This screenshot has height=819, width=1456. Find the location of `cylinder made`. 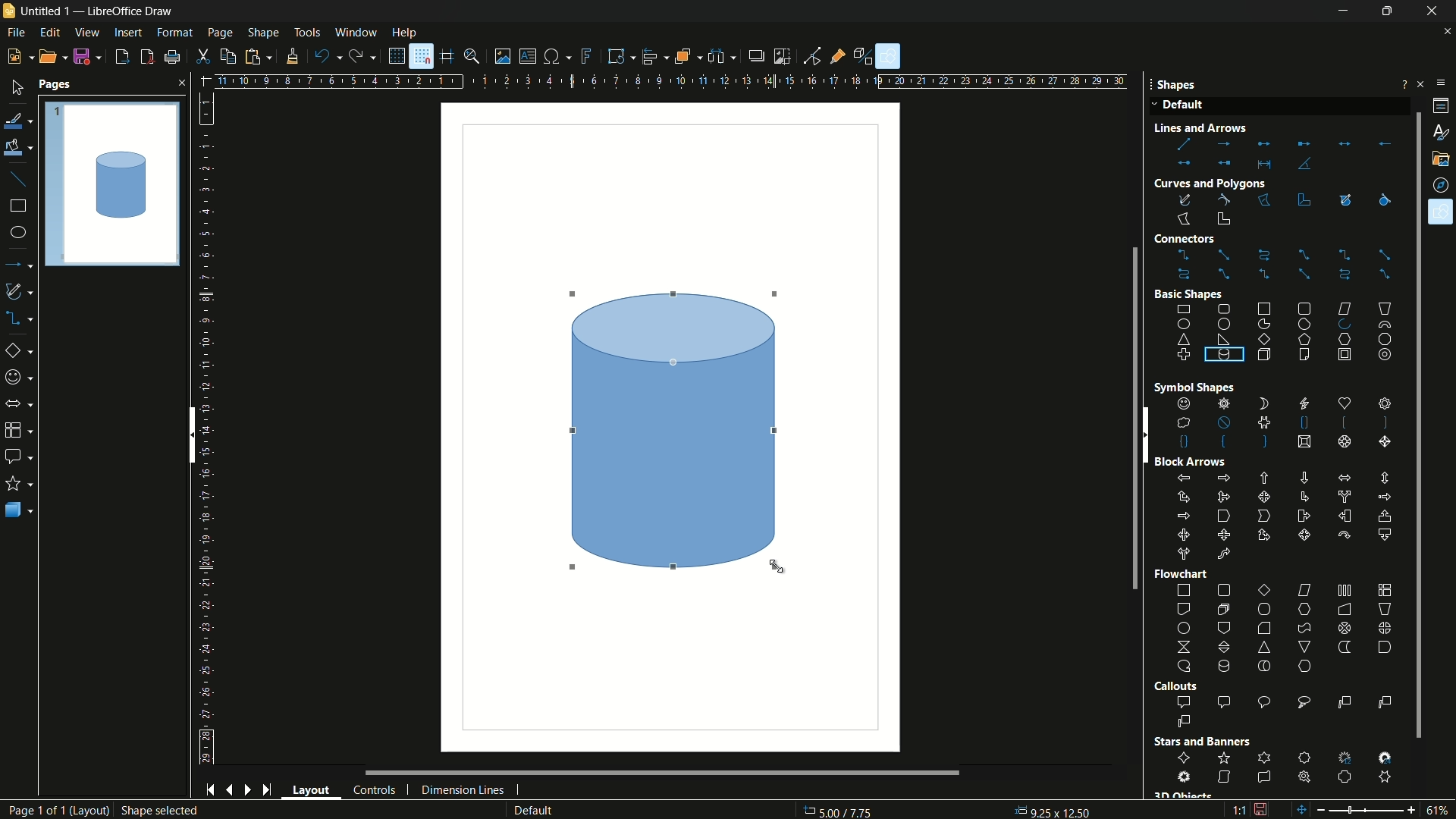

cylinder made is located at coordinates (674, 431).